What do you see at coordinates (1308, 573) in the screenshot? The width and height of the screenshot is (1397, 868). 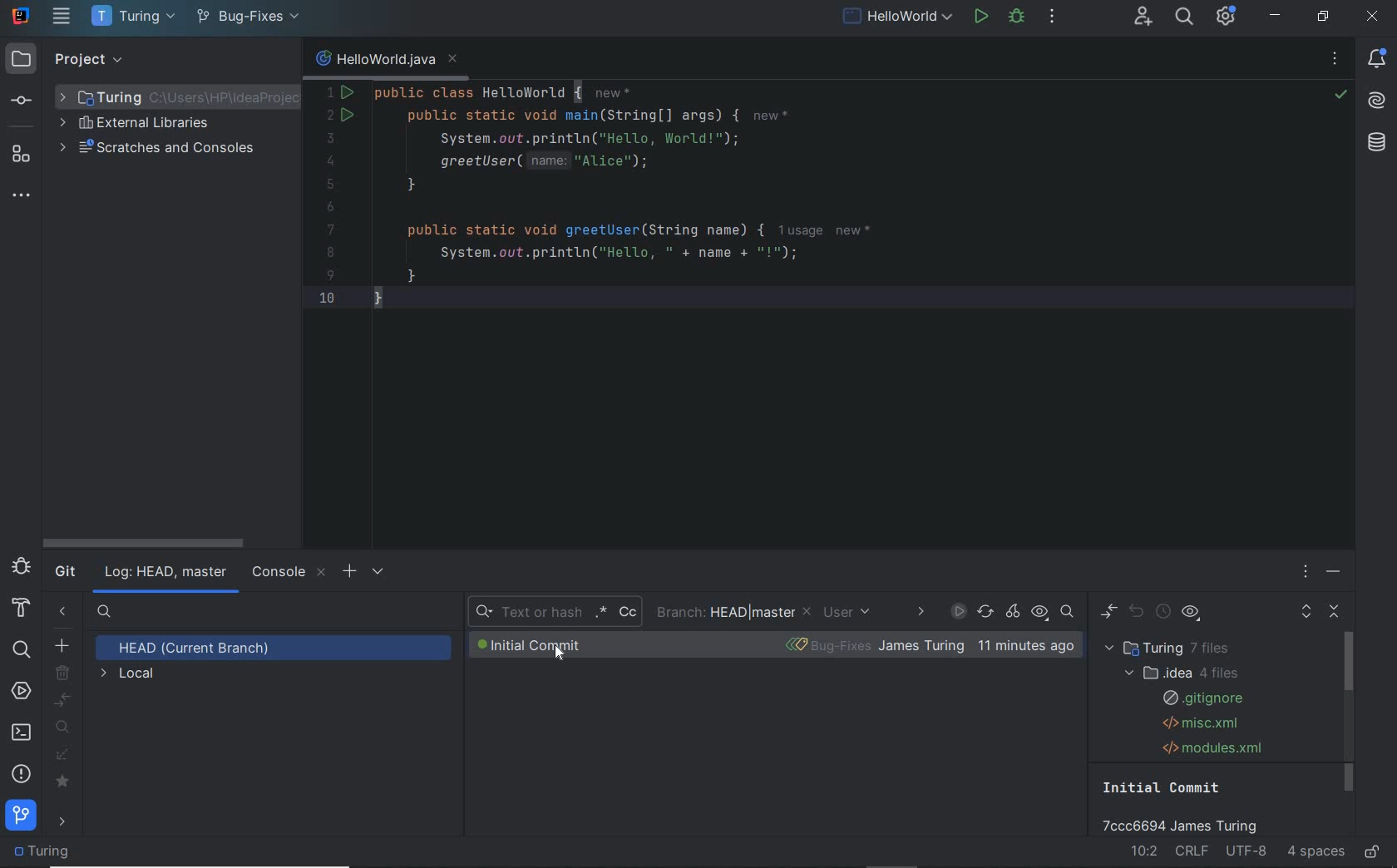 I see `OPTIONS` at bounding box center [1308, 573].